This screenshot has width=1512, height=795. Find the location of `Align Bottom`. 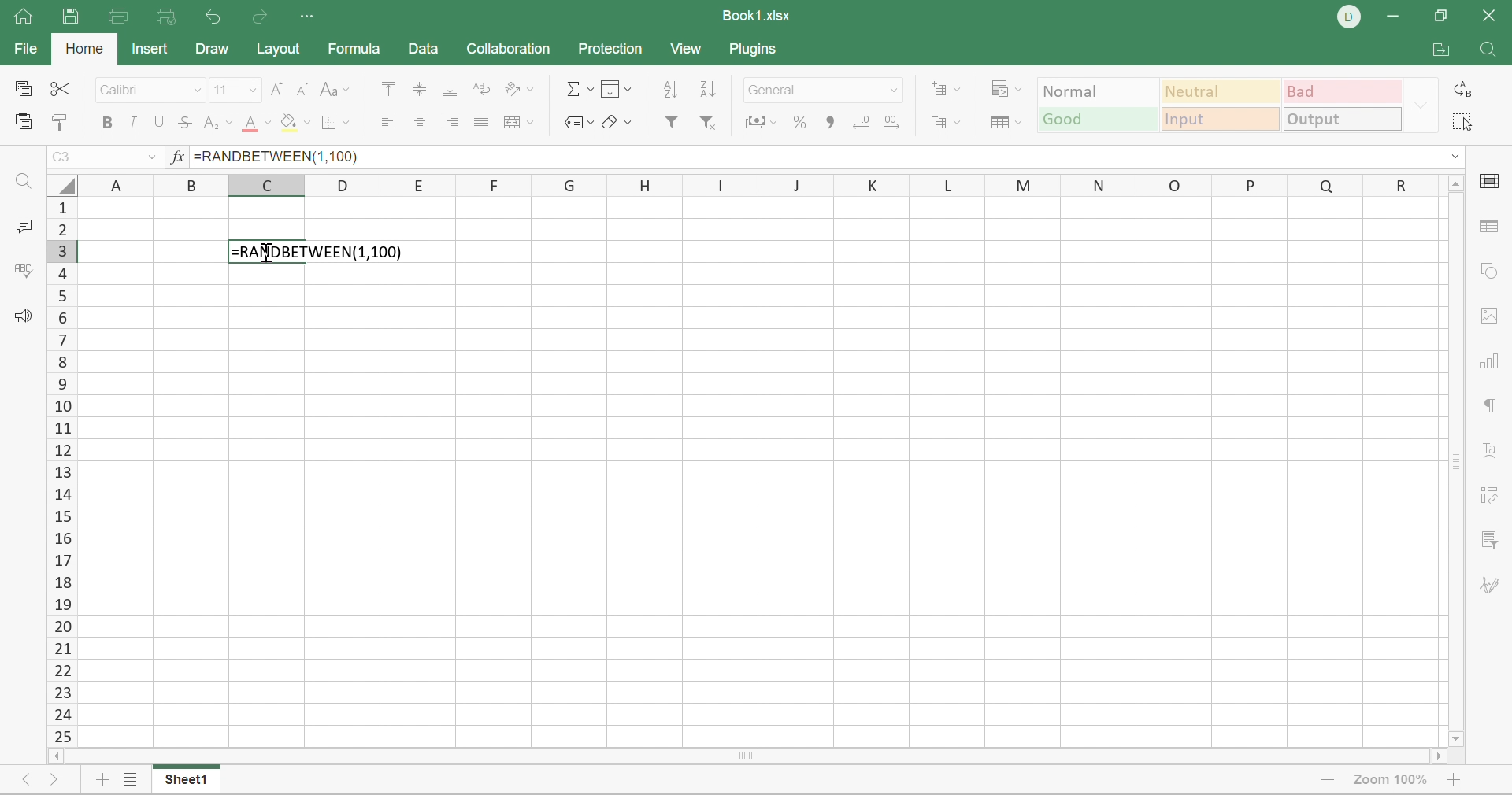

Align Bottom is located at coordinates (448, 90).